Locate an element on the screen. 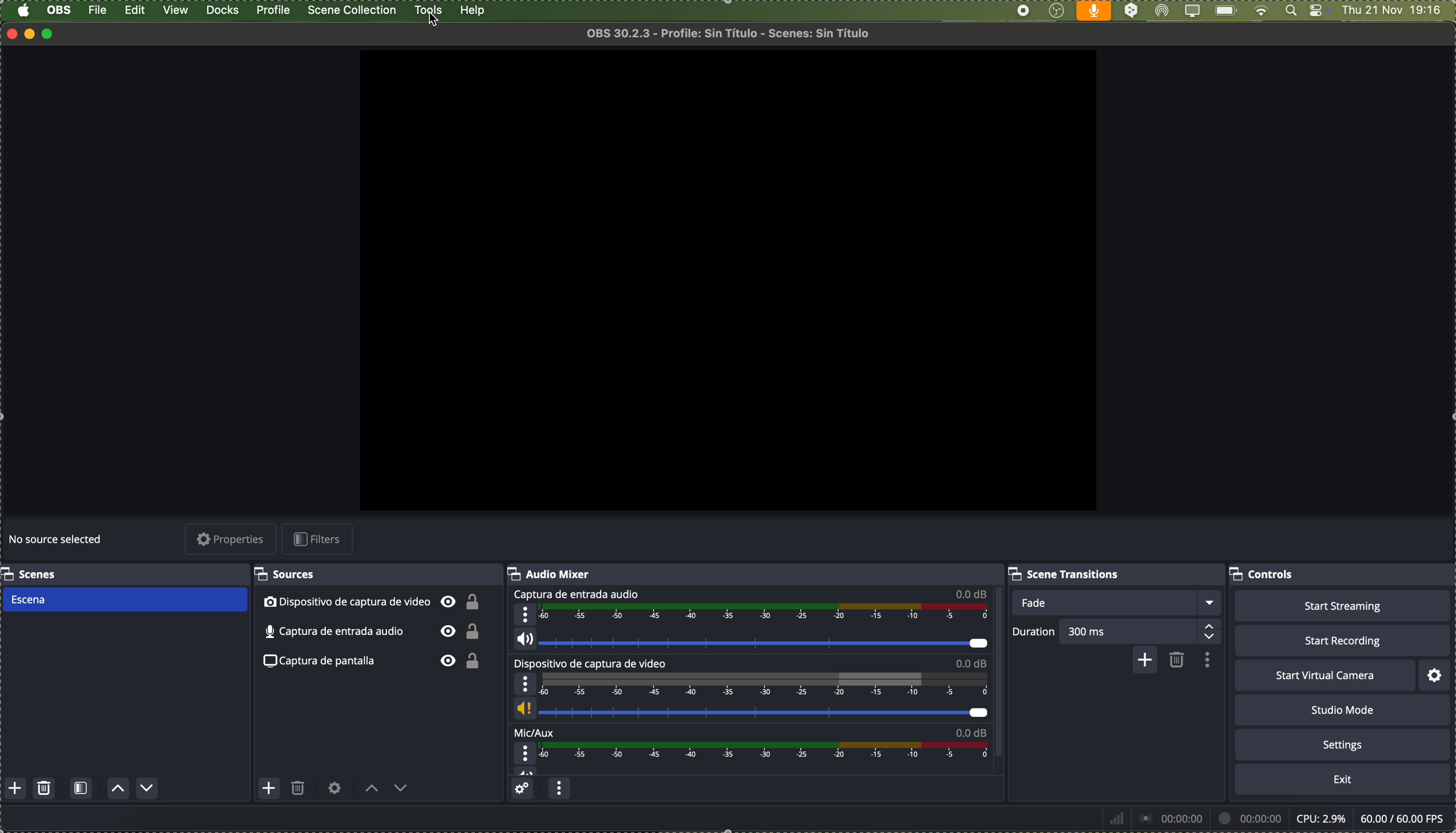 This screenshot has height=833, width=1456. video capture device is located at coordinates (751, 691).